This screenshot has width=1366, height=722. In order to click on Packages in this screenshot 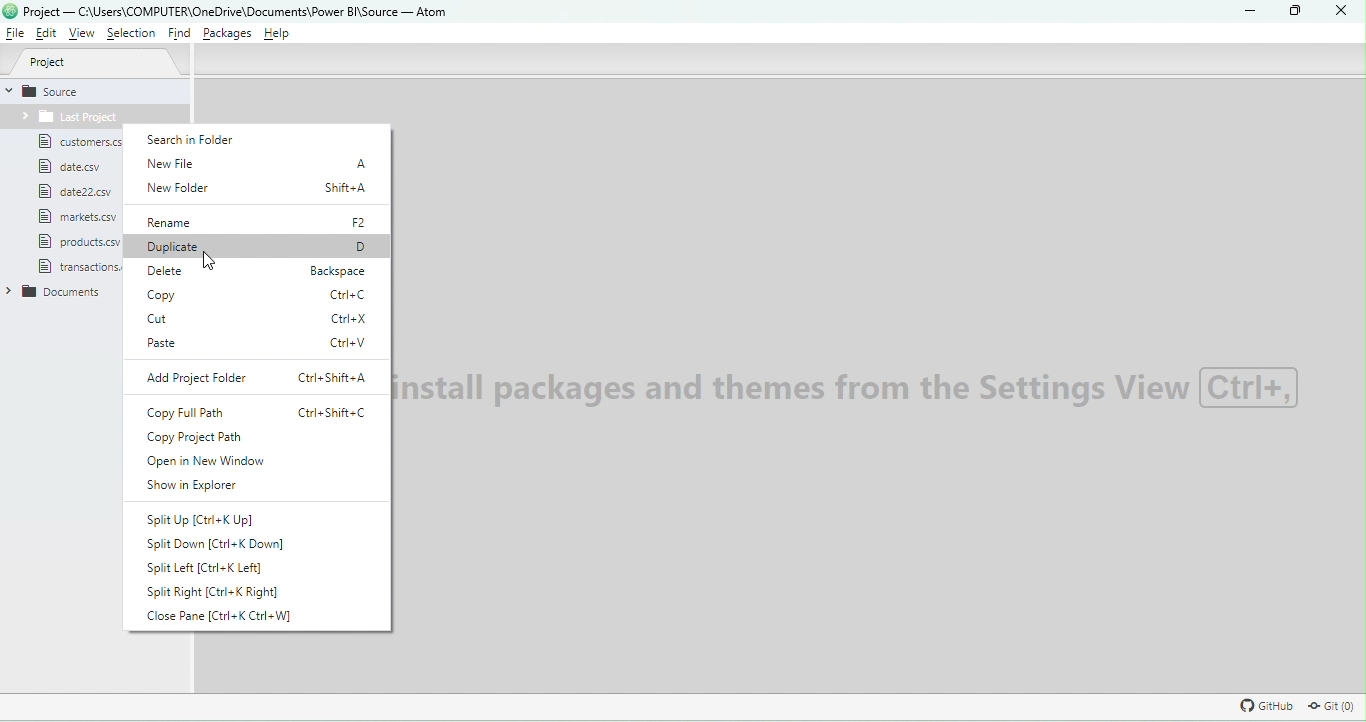, I will do `click(228, 34)`.